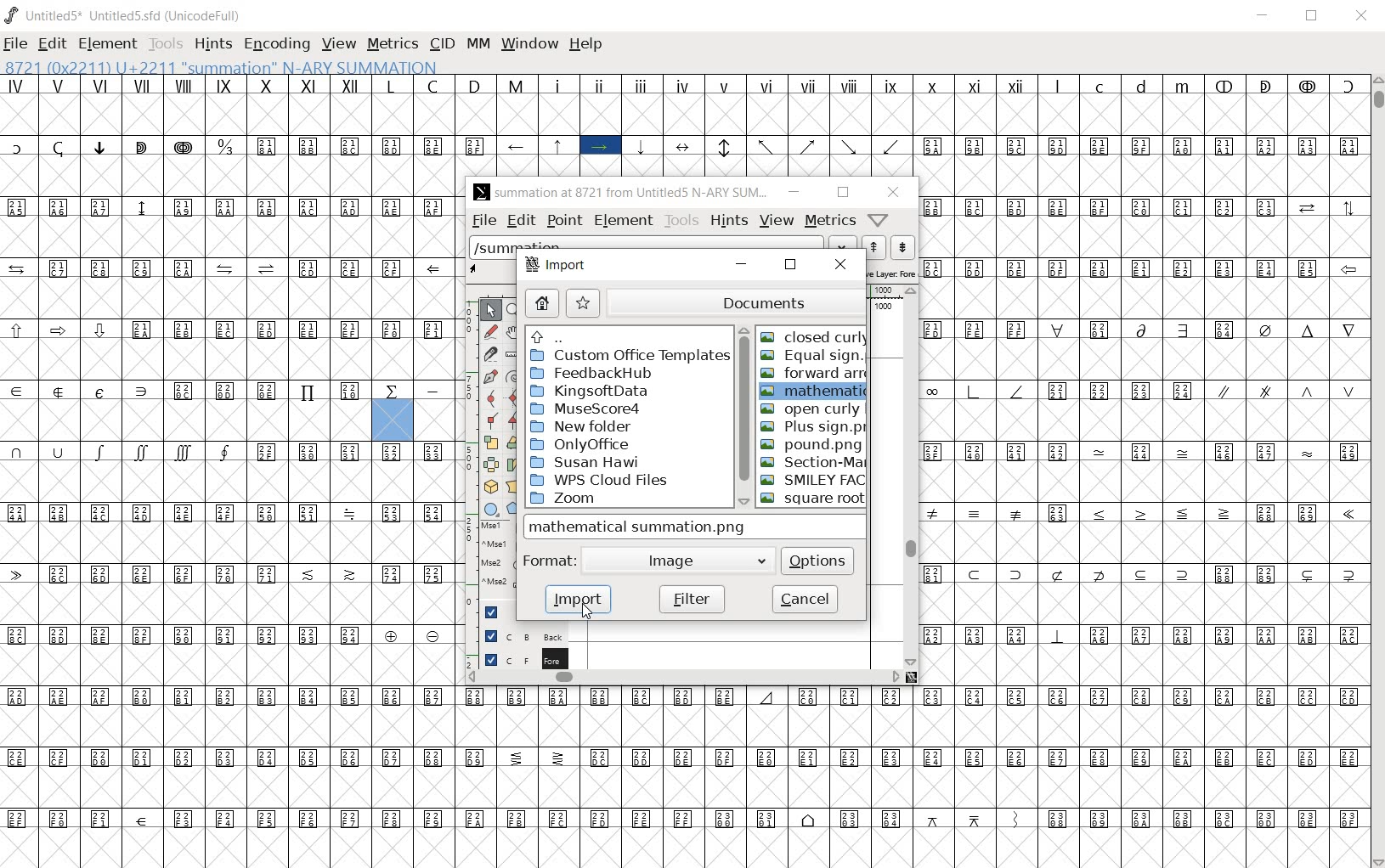  I want to click on draw a freehand curve, so click(490, 330).